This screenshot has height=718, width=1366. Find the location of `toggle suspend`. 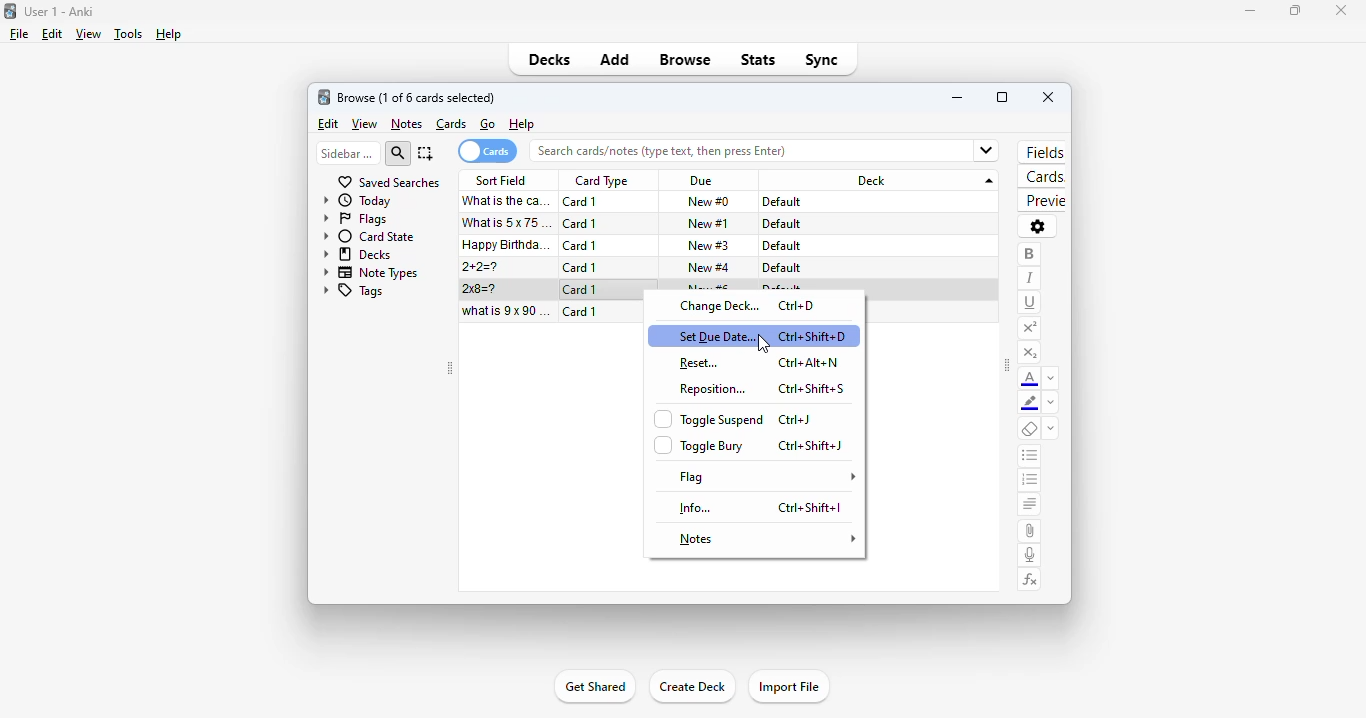

toggle suspend is located at coordinates (709, 418).